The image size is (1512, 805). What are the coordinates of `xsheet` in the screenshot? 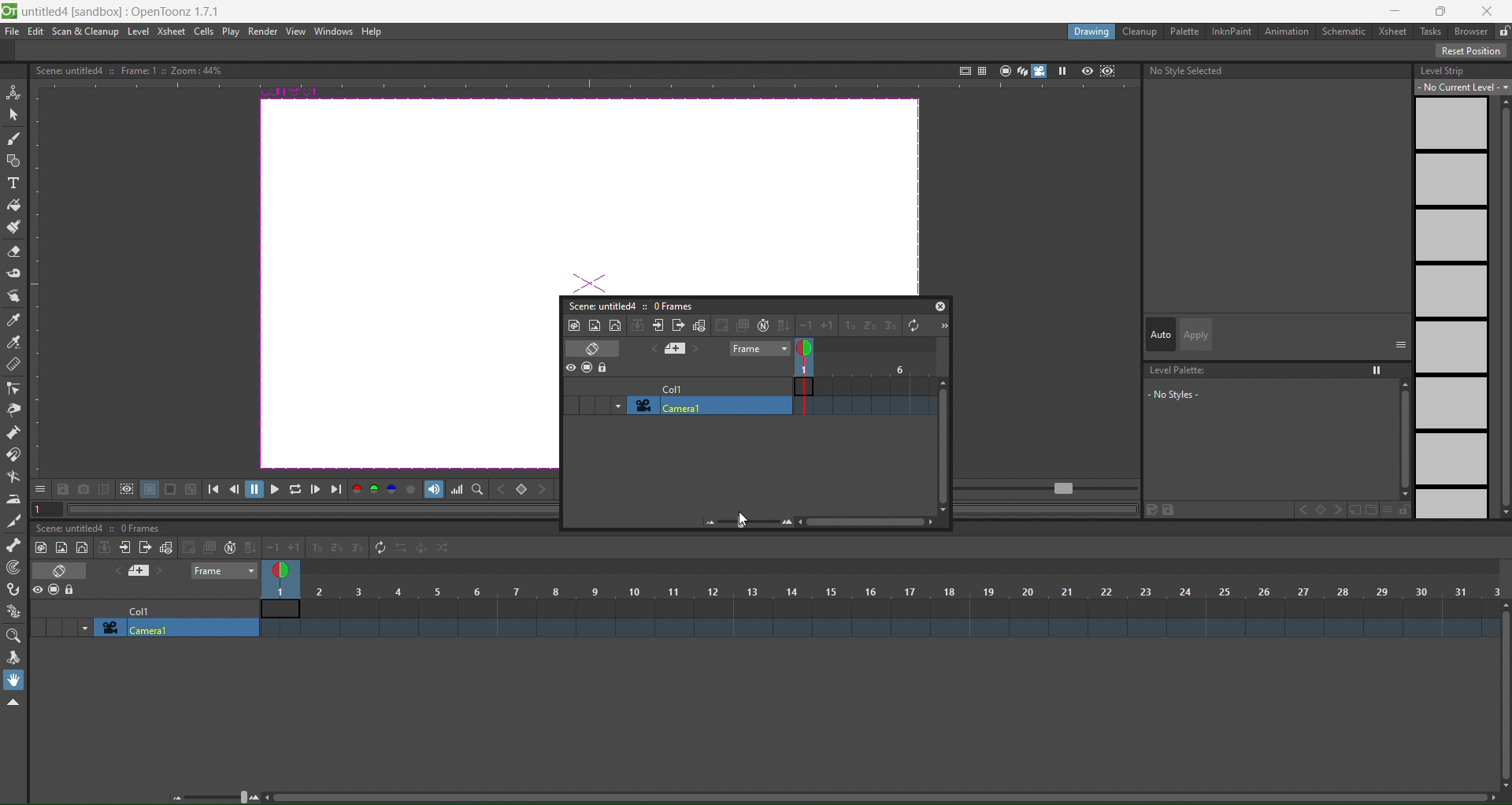 It's located at (170, 31).